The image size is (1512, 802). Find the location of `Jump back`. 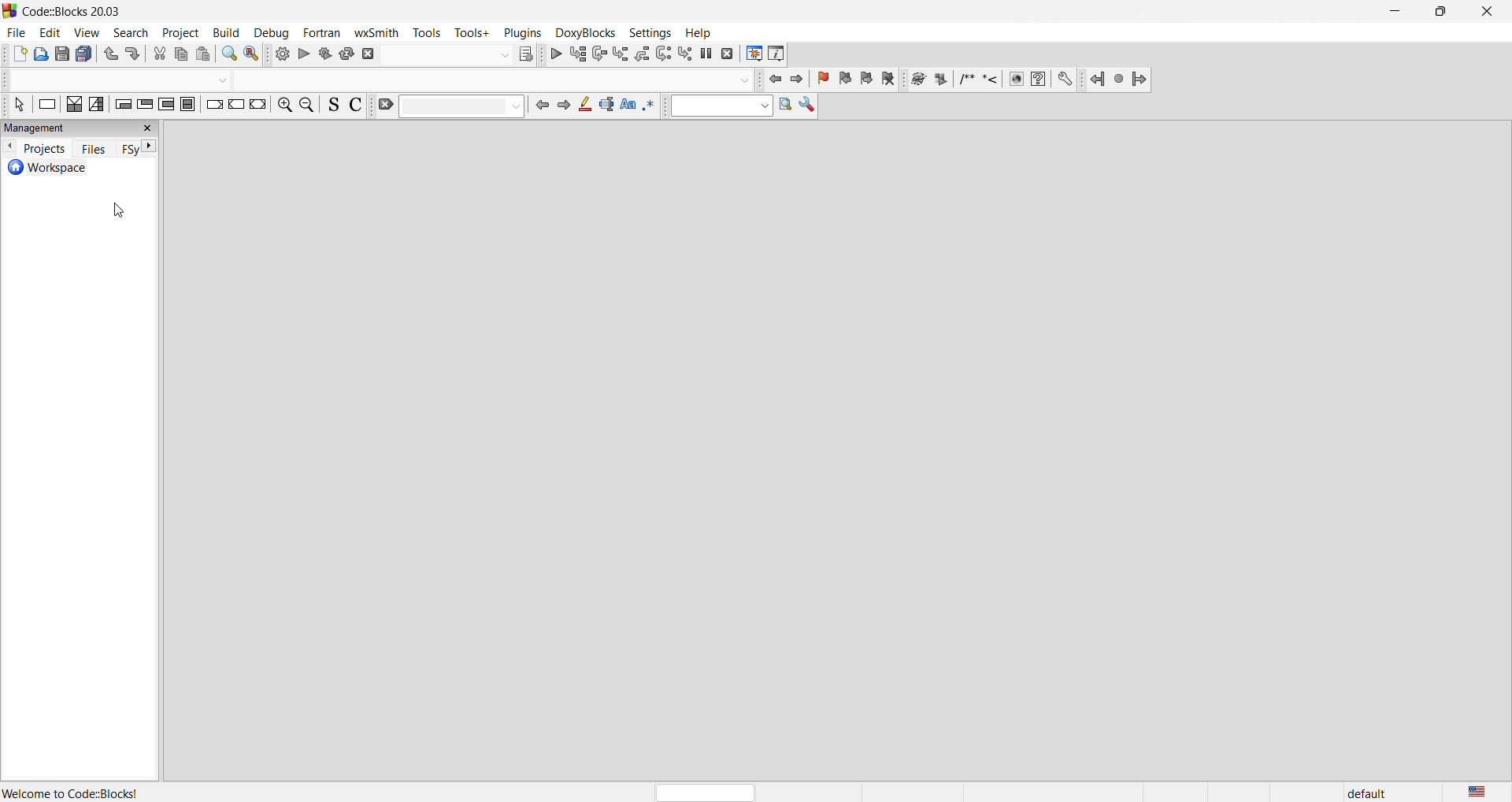

Jump back is located at coordinates (1095, 81).